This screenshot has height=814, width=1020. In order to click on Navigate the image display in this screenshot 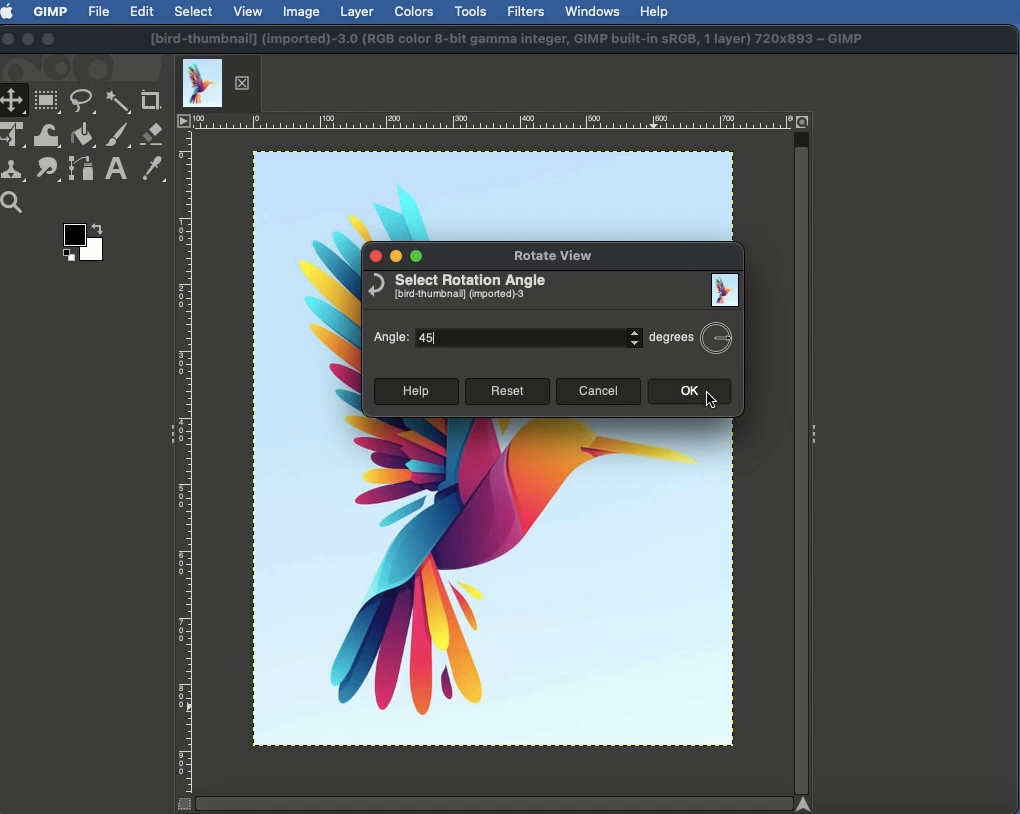, I will do `click(809, 804)`.